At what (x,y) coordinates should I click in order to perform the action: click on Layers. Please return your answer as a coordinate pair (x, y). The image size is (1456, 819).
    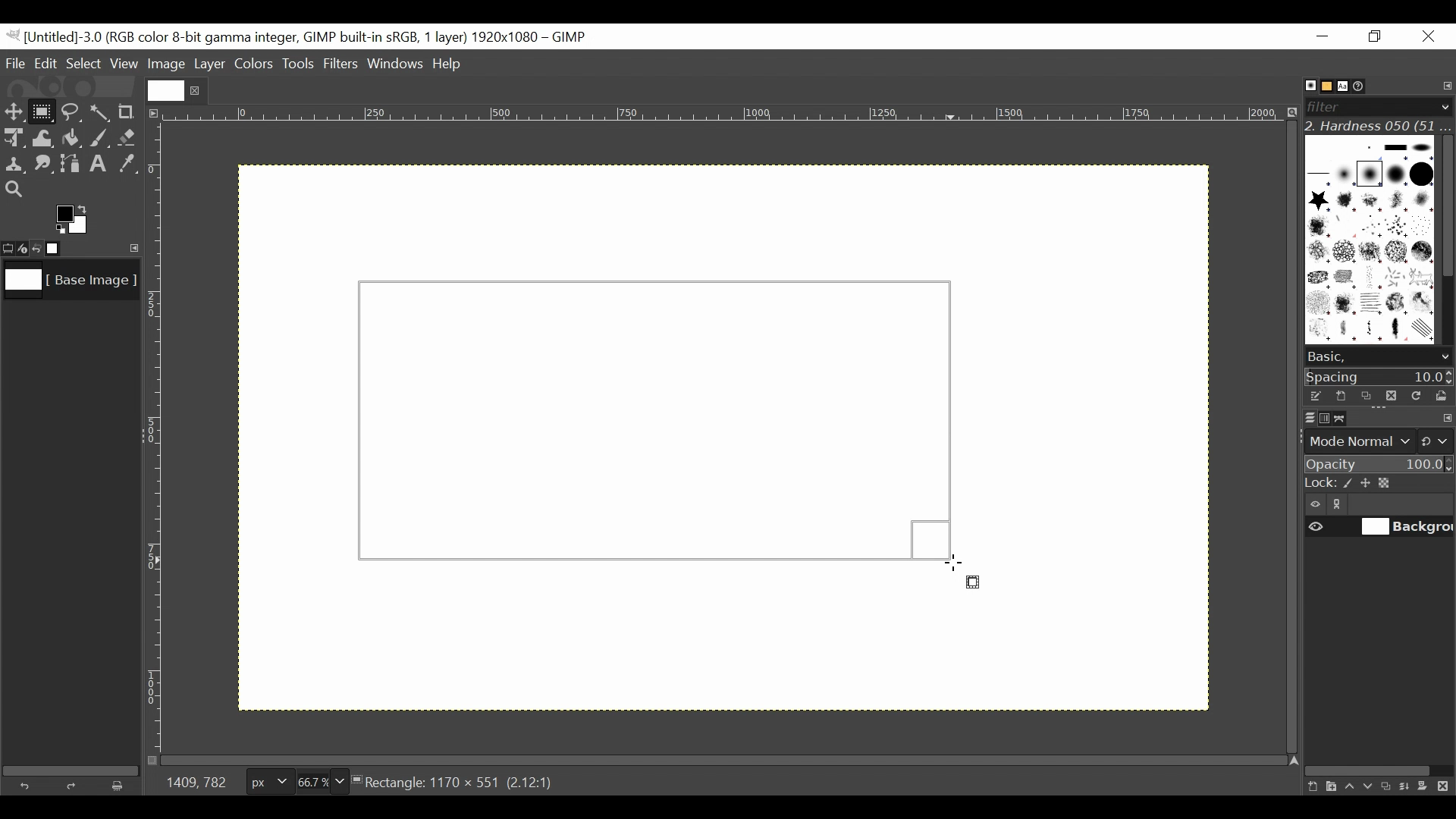
    Looking at the image, I should click on (1301, 417).